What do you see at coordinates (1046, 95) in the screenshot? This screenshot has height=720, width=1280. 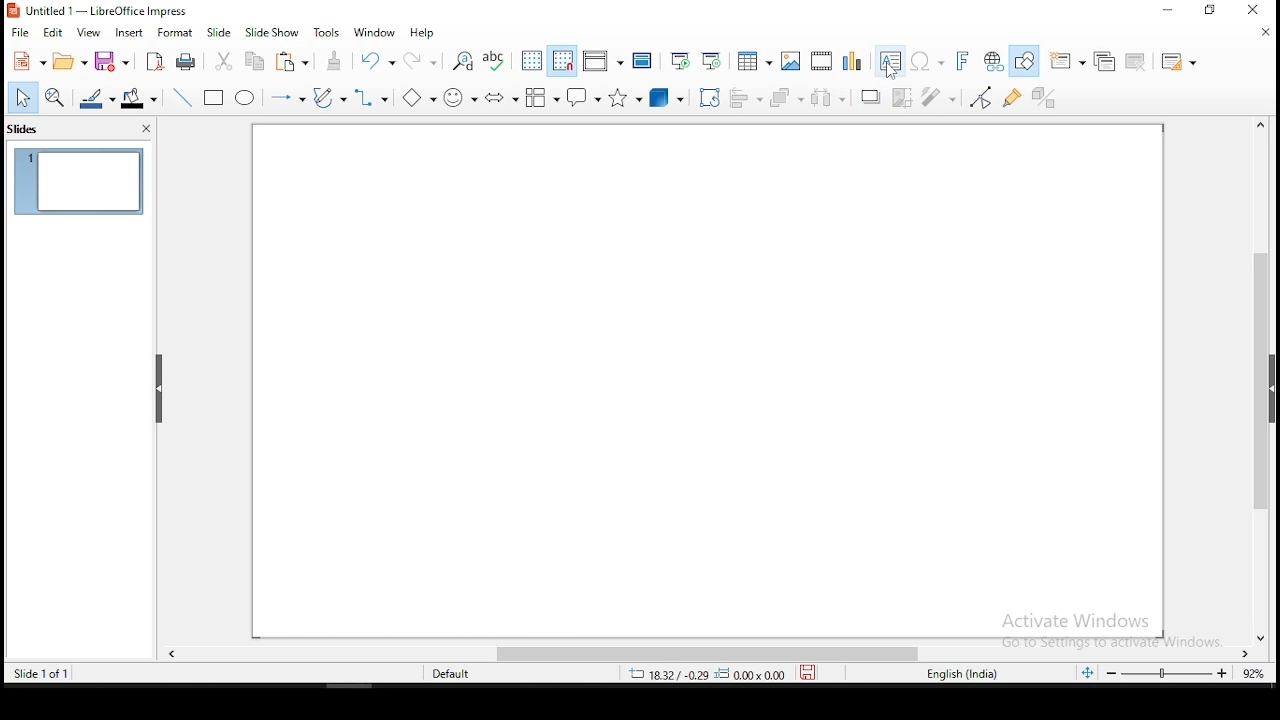 I see `toggle extrusion` at bounding box center [1046, 95].